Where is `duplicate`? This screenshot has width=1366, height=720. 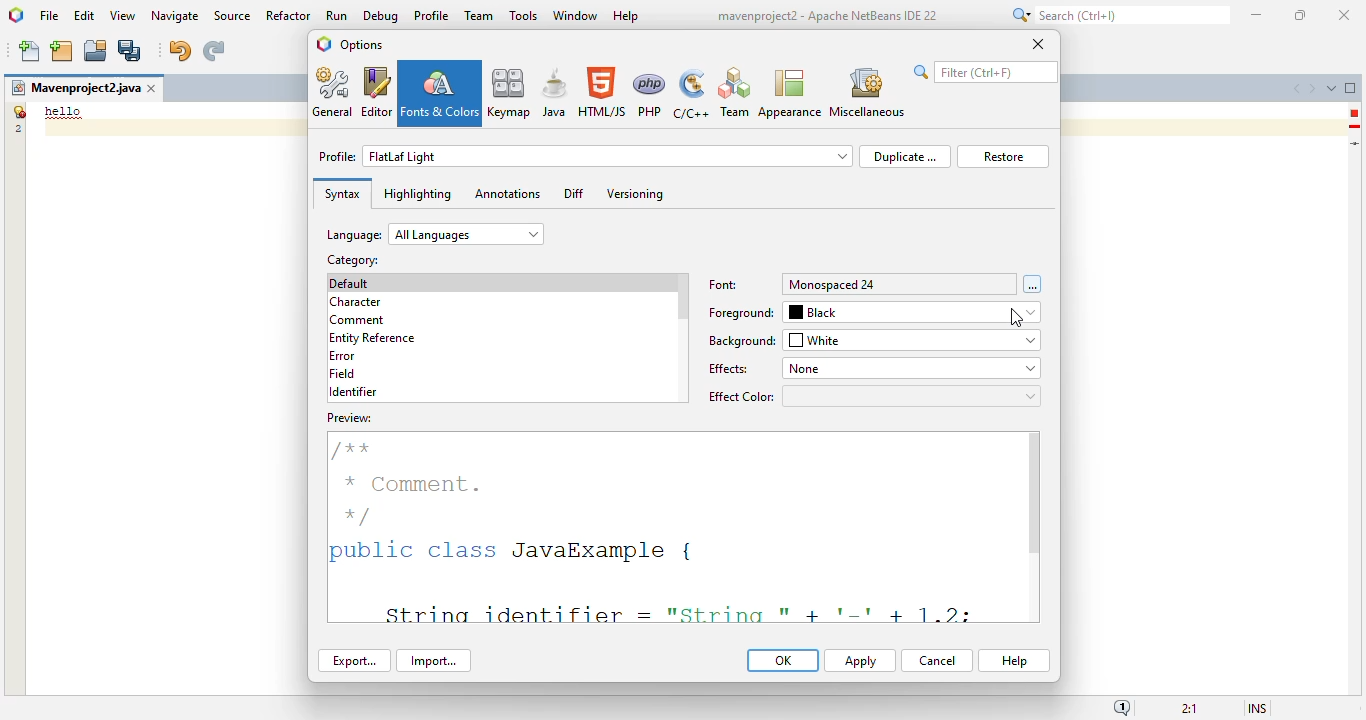
duplicate is located at coordinates (904, 156).